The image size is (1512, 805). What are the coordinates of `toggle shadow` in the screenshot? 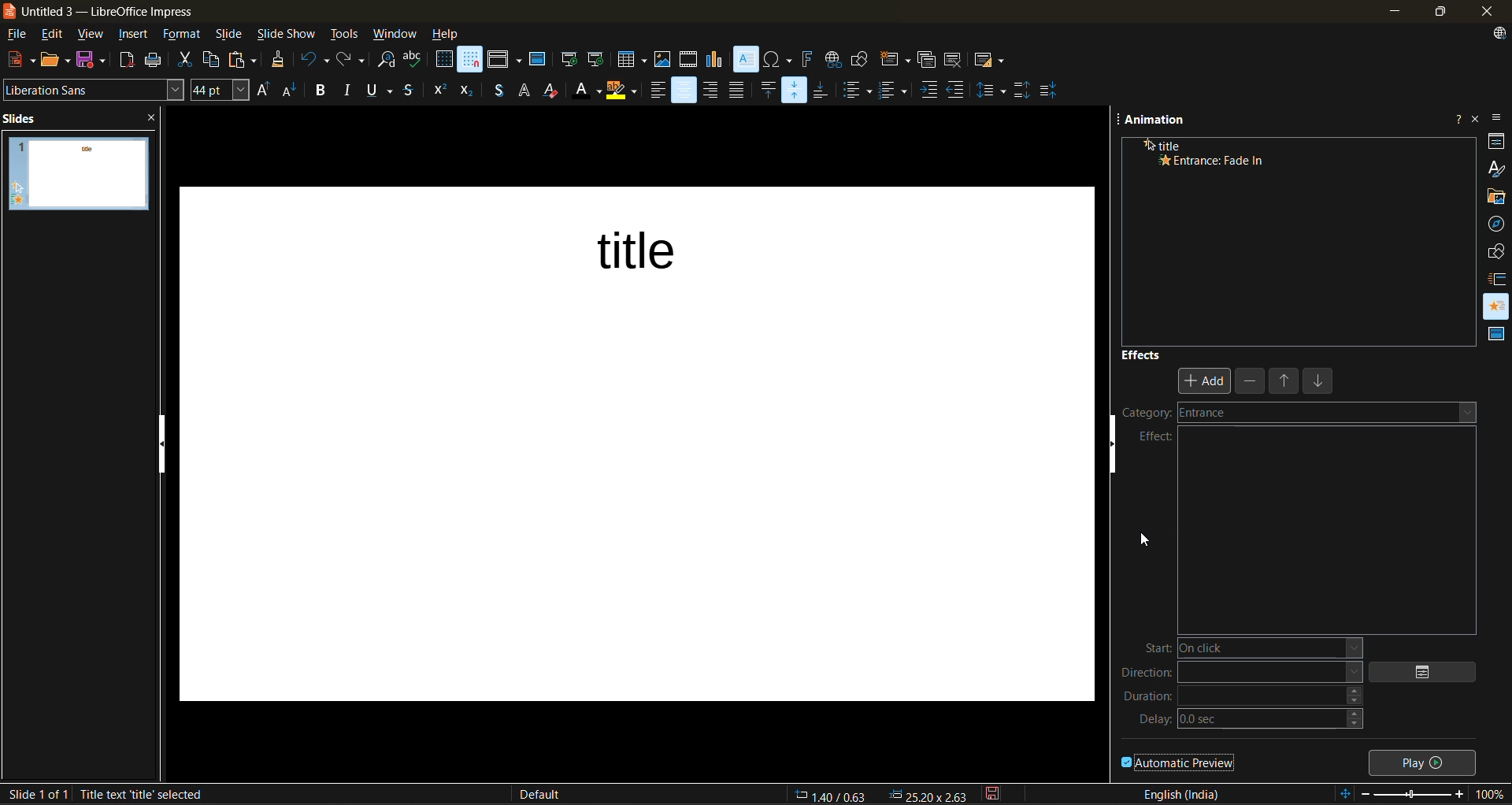 It's located at (498, 92).